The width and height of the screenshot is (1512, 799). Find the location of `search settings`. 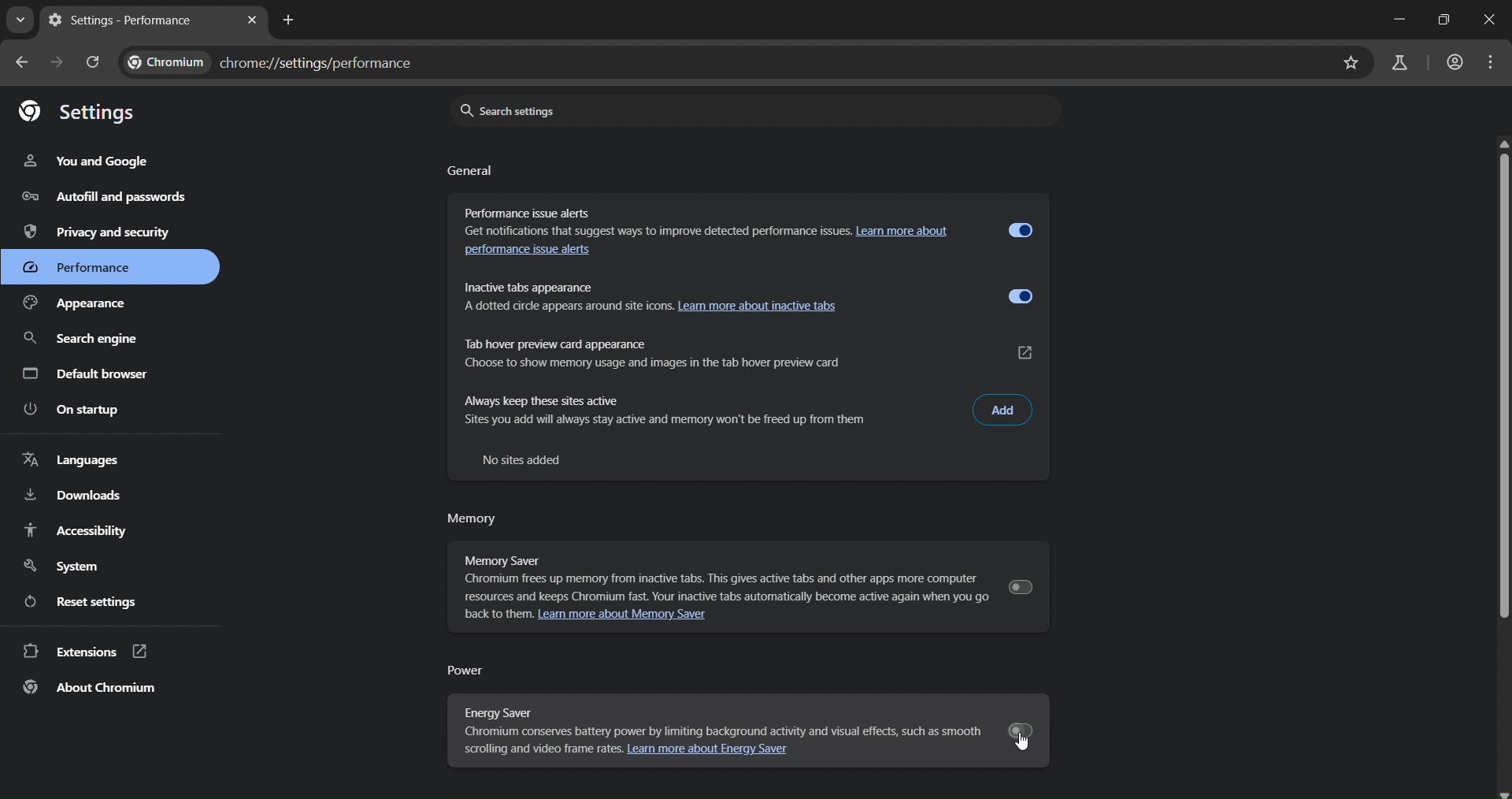

search settings is located at coordinates (748, 110).